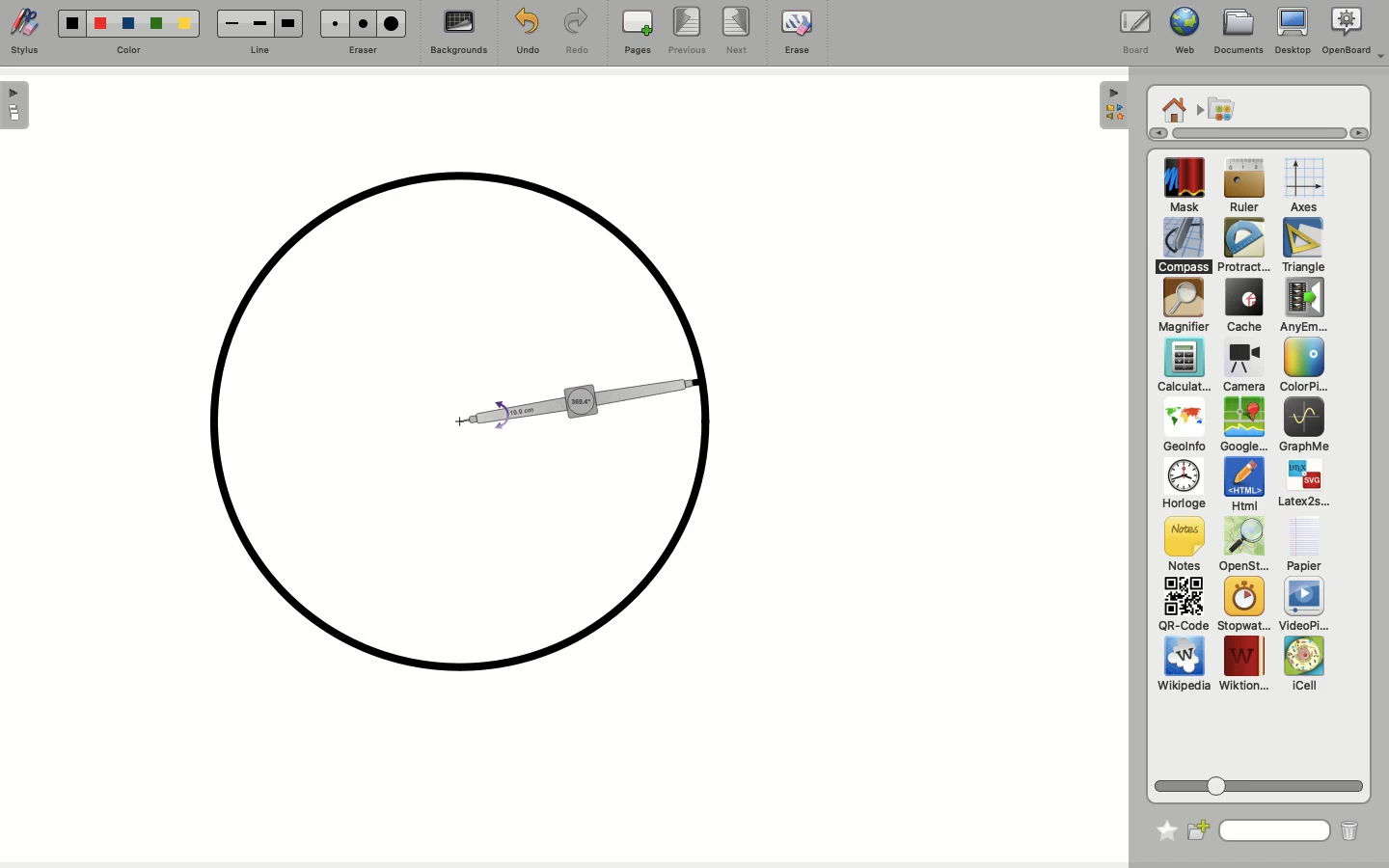  What do you see at coordinates (97, 22) in the screenshot?
I see `color2` at bounding box center [97, 22].